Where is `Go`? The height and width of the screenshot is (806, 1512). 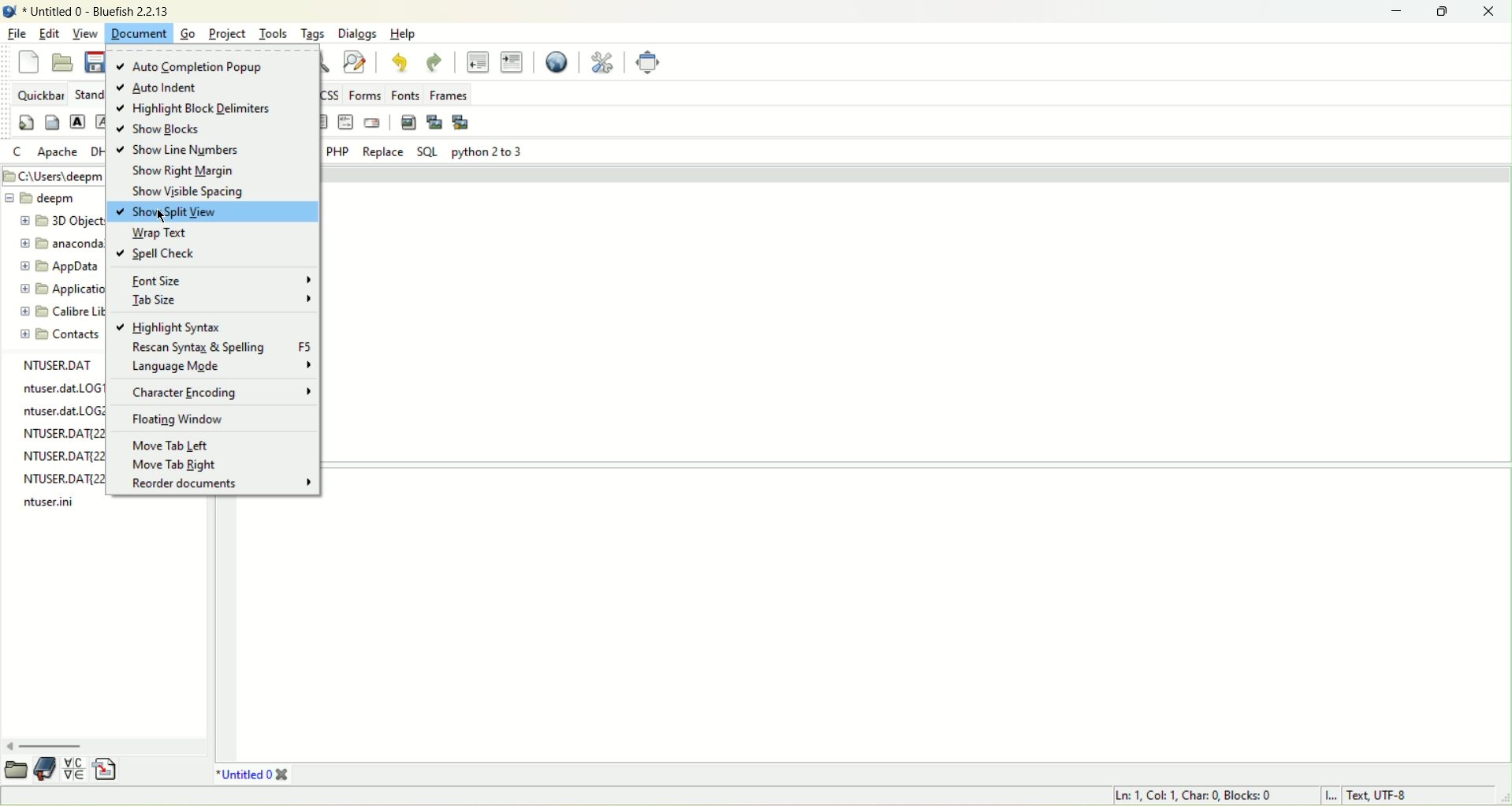 Go is located at coordinates (189, 32).